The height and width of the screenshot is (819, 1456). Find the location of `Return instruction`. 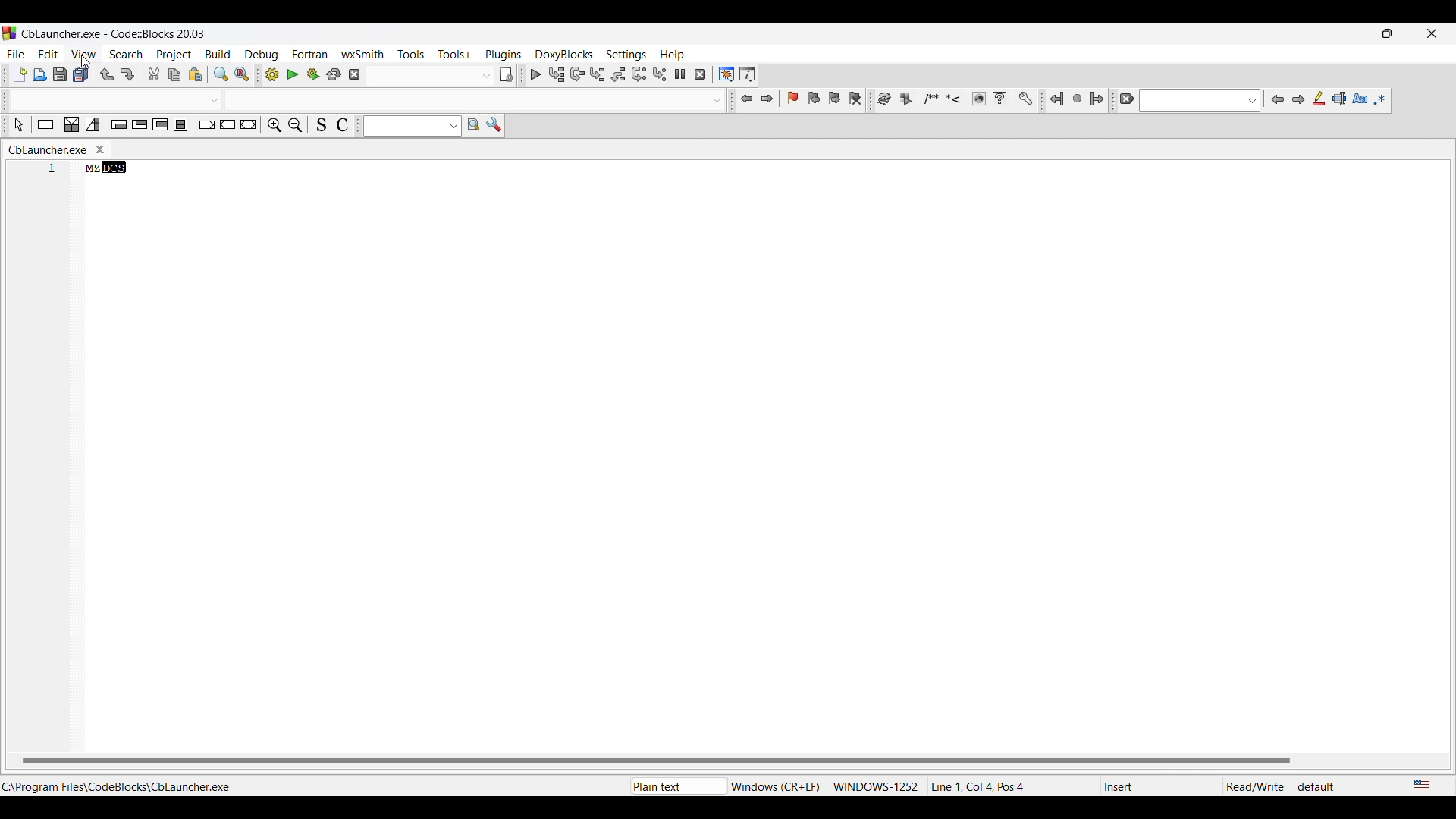

Return instruction is located at coordinates (249, 124).